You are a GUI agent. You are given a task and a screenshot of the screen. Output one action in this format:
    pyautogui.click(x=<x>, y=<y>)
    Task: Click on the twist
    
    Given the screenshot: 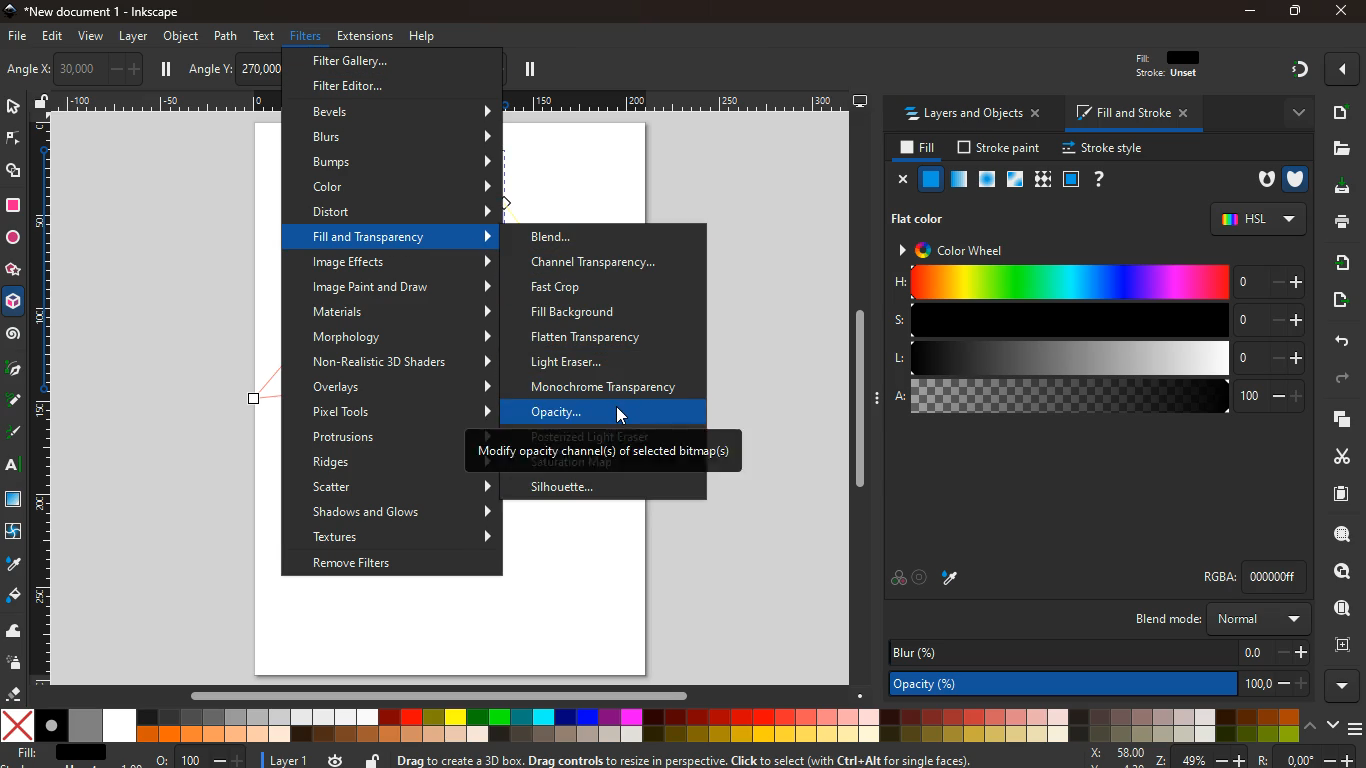 What is the action you would take?
    pyautogui.click(x=13, y=531)
    